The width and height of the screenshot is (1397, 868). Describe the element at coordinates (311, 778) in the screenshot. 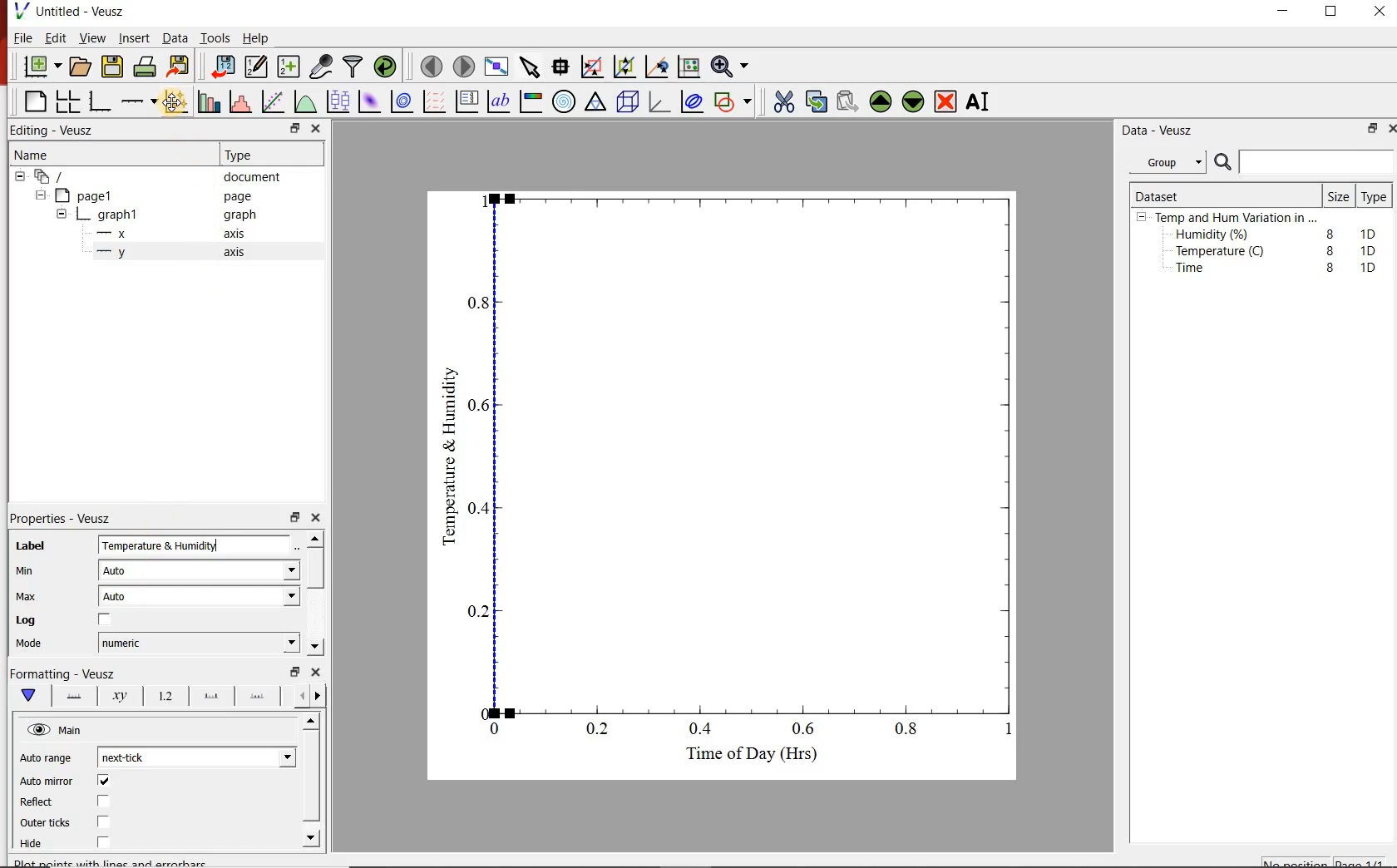

I see `scroll bar` at that location.